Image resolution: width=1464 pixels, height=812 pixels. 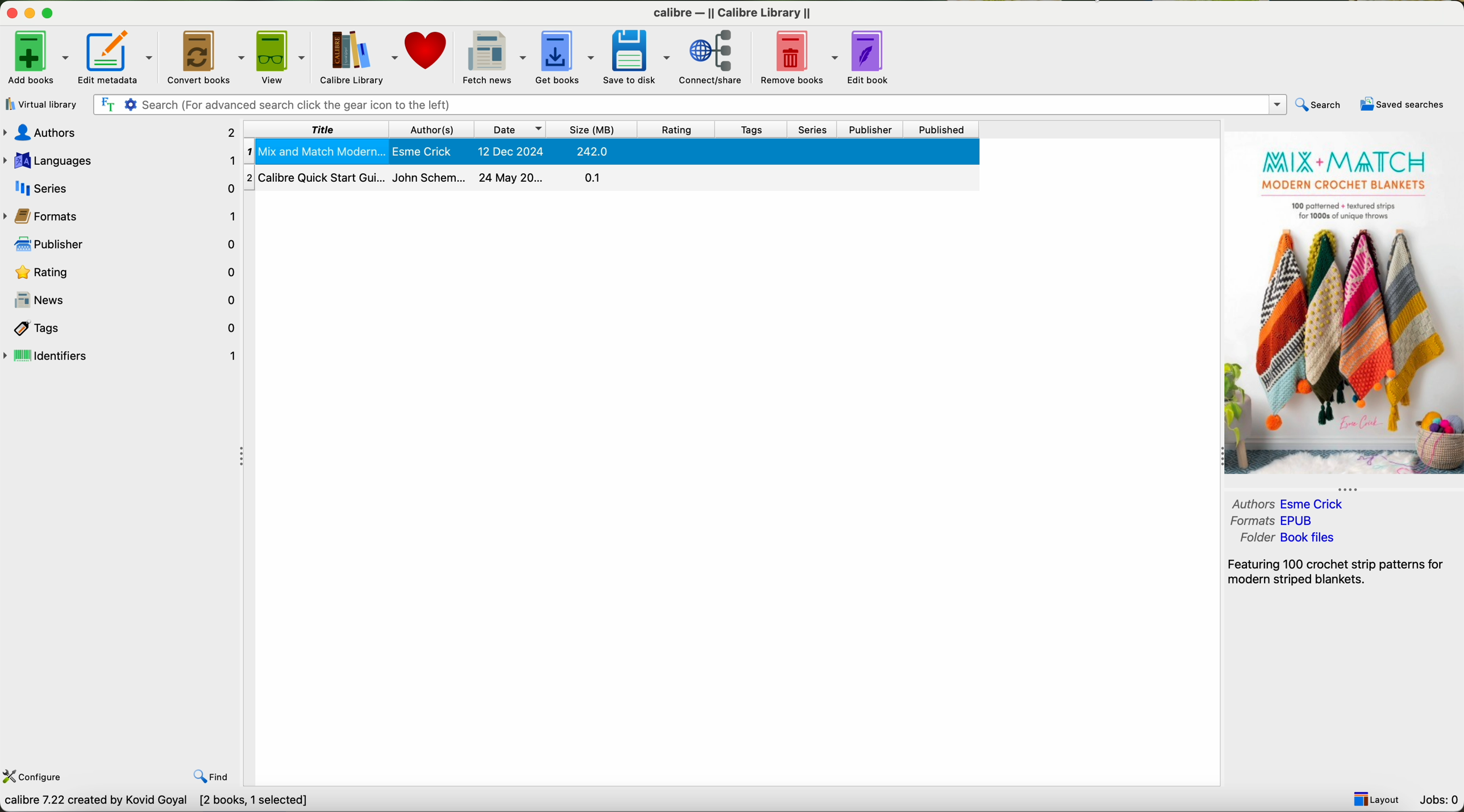 What do you see at coordinates (1342, 305) in the screenshot?
I see `book cover preview` at bounding box center [1342, 305].